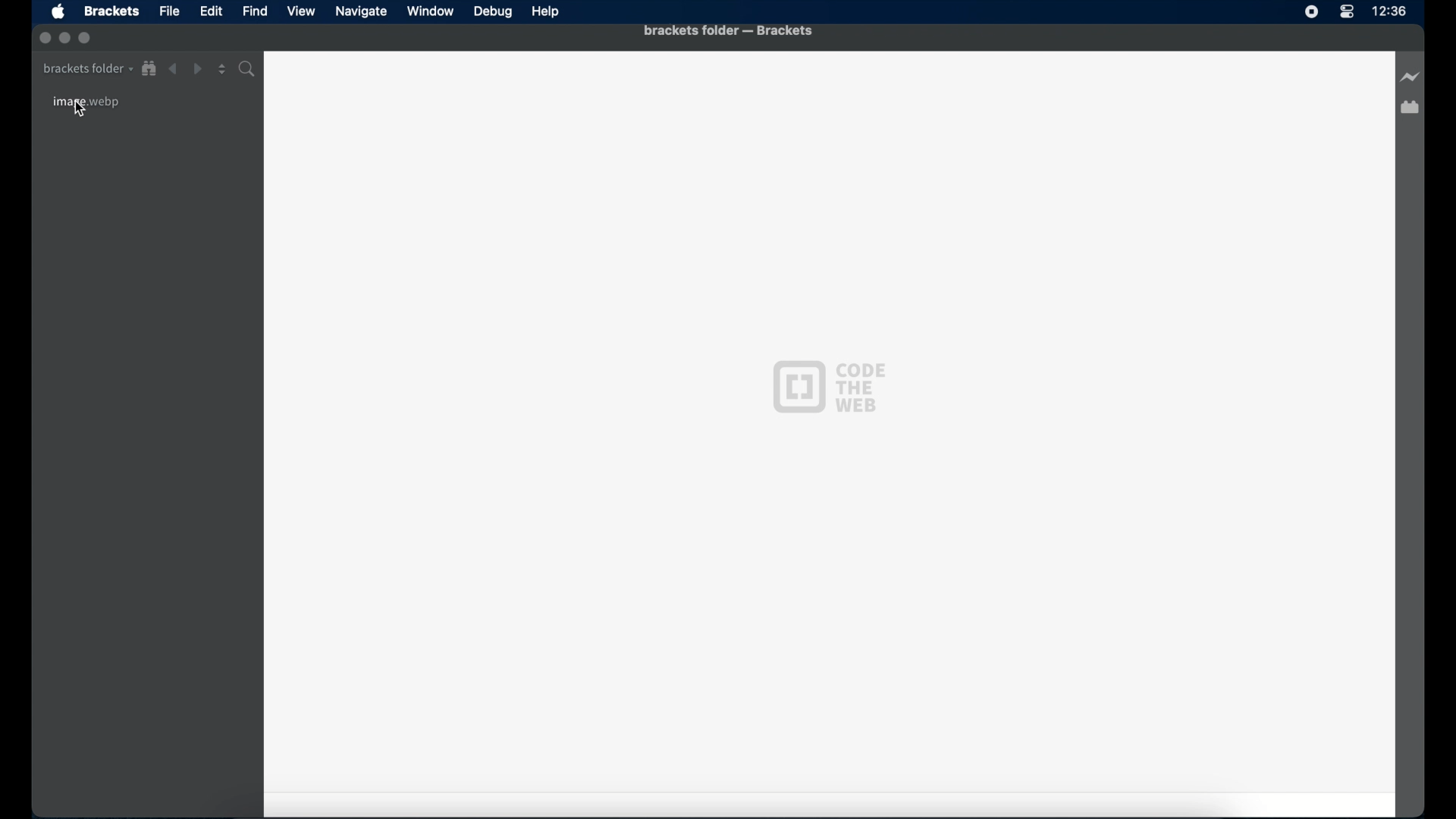 The width and height of the screenshot is (1456, 819). I want to click on Window, so click(429, 13).